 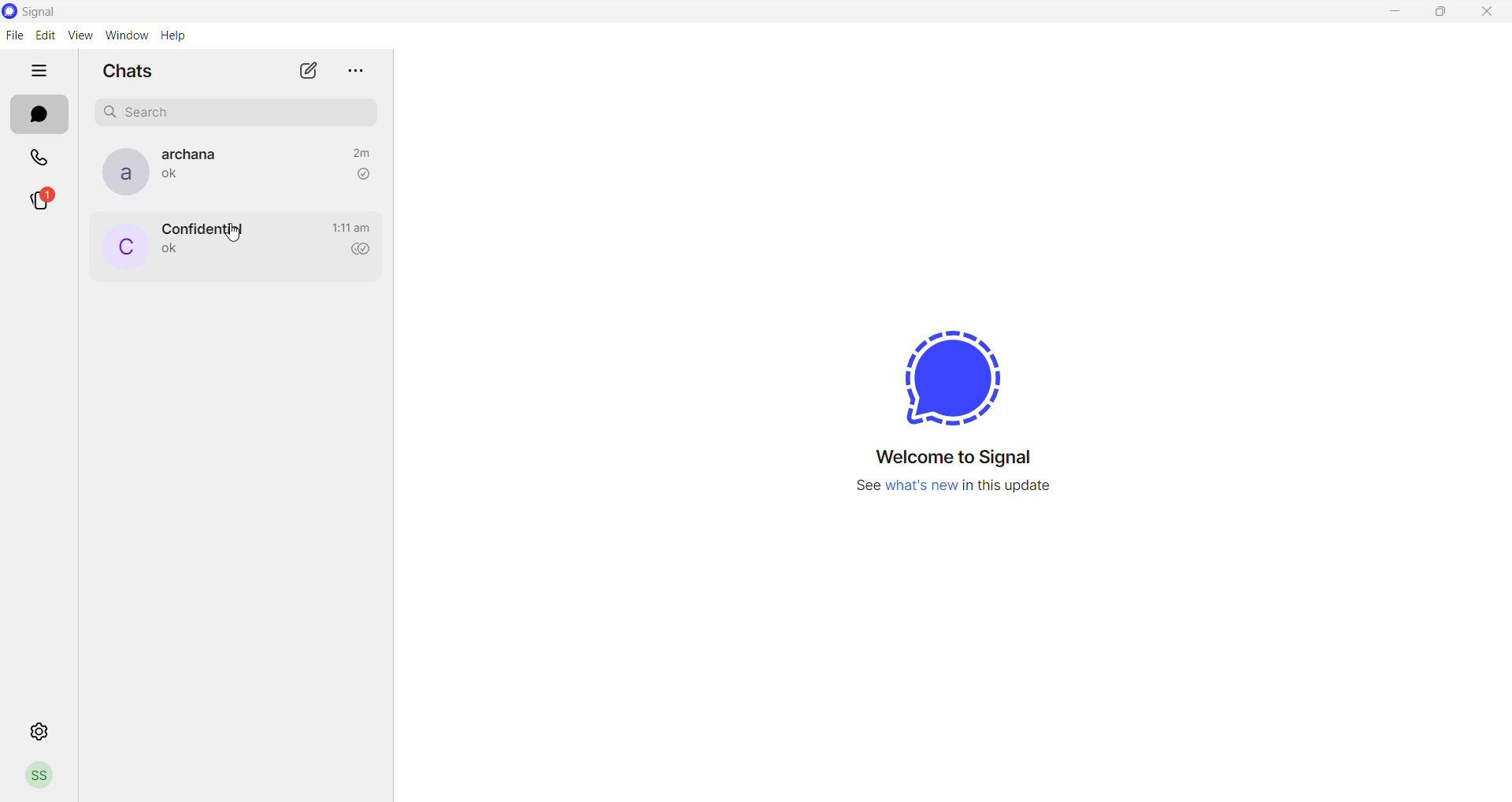 I want to click on calls, so click(x=42, y=155).